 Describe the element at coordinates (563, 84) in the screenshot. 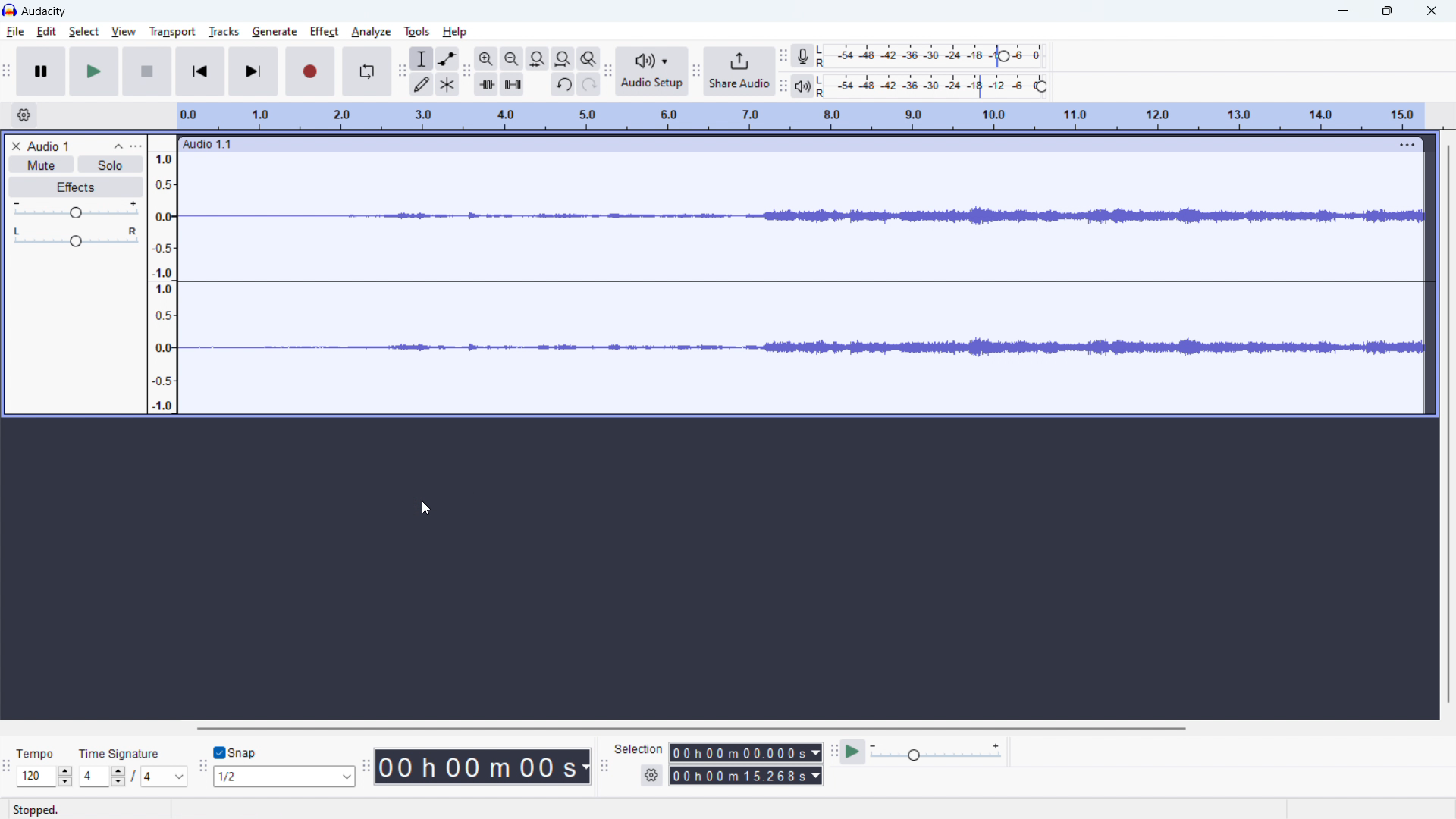

I see `undo` at that location.